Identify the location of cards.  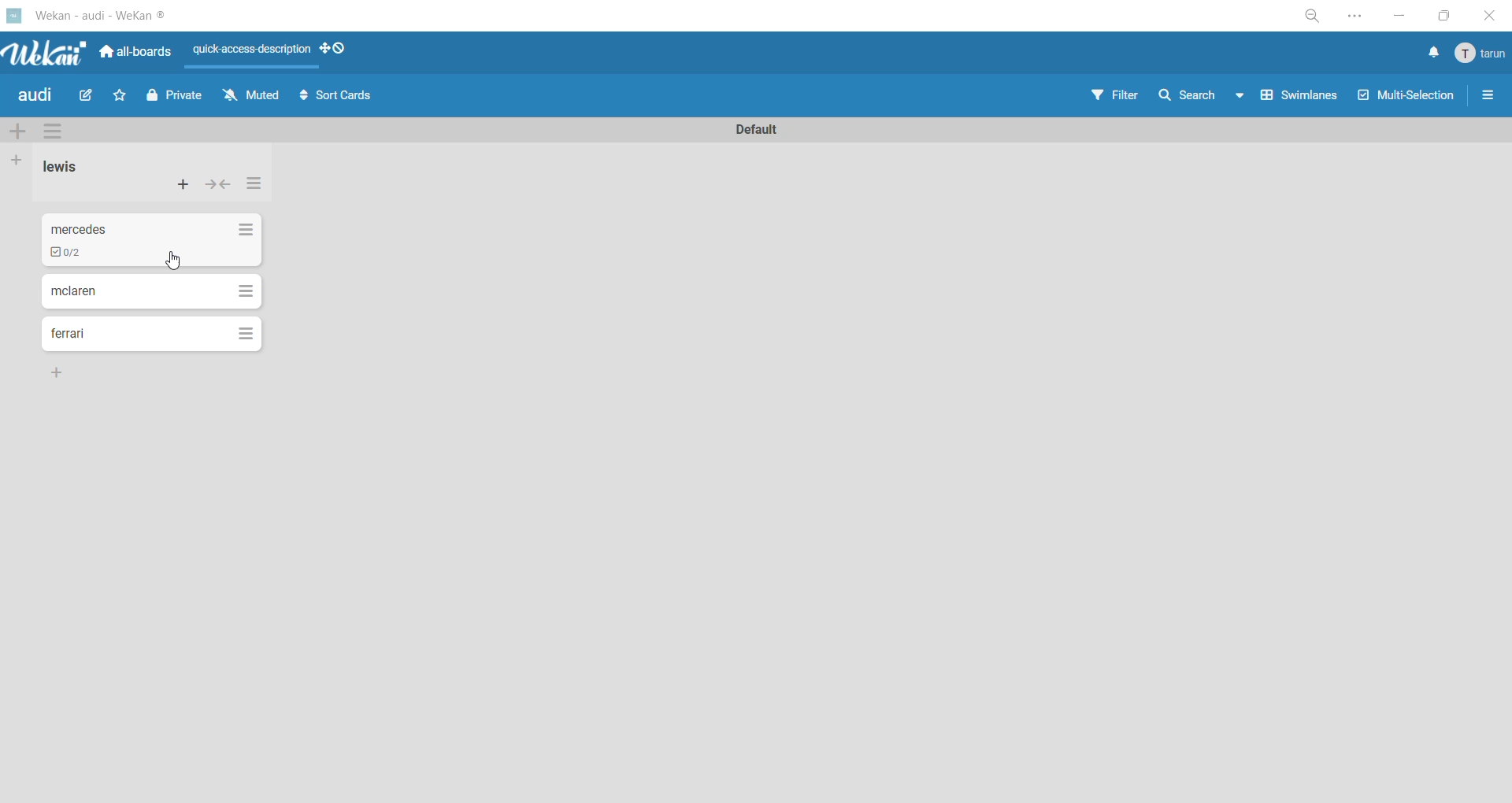
(154, 290).